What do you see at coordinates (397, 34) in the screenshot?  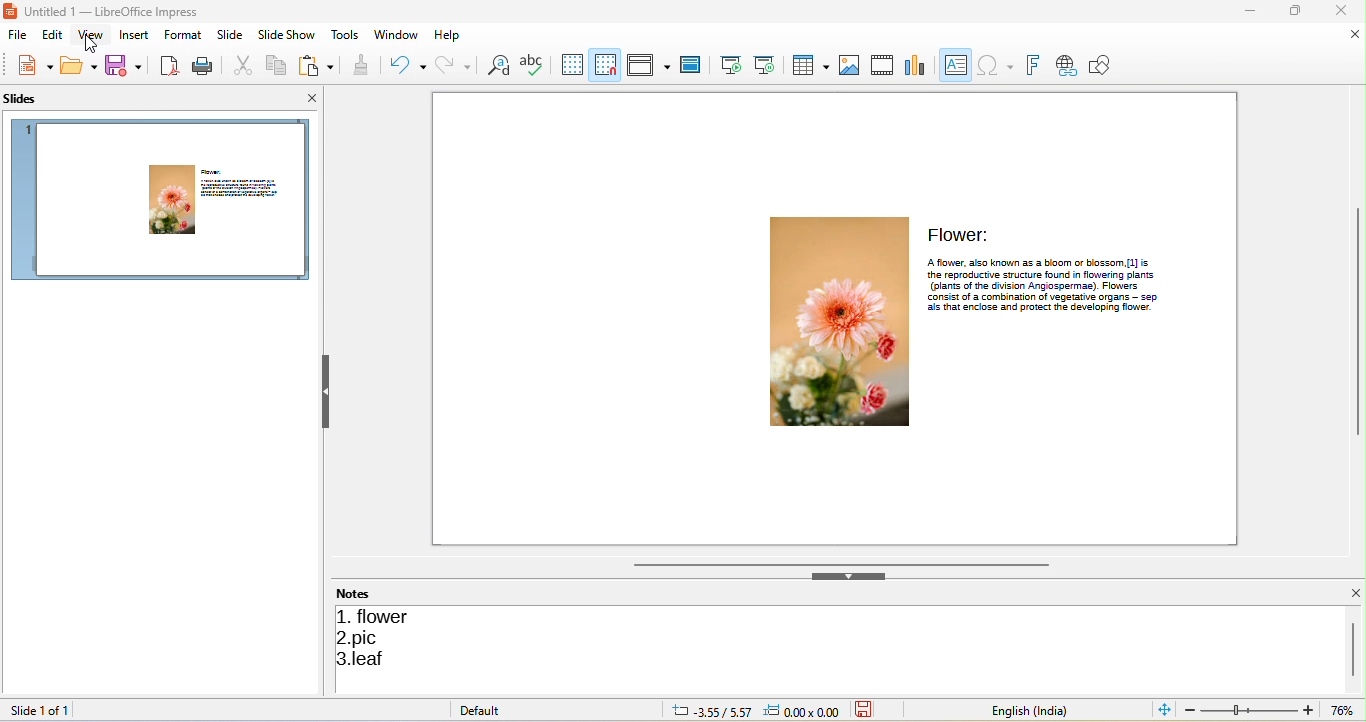 I see `window` at bounding box center [397, 34].